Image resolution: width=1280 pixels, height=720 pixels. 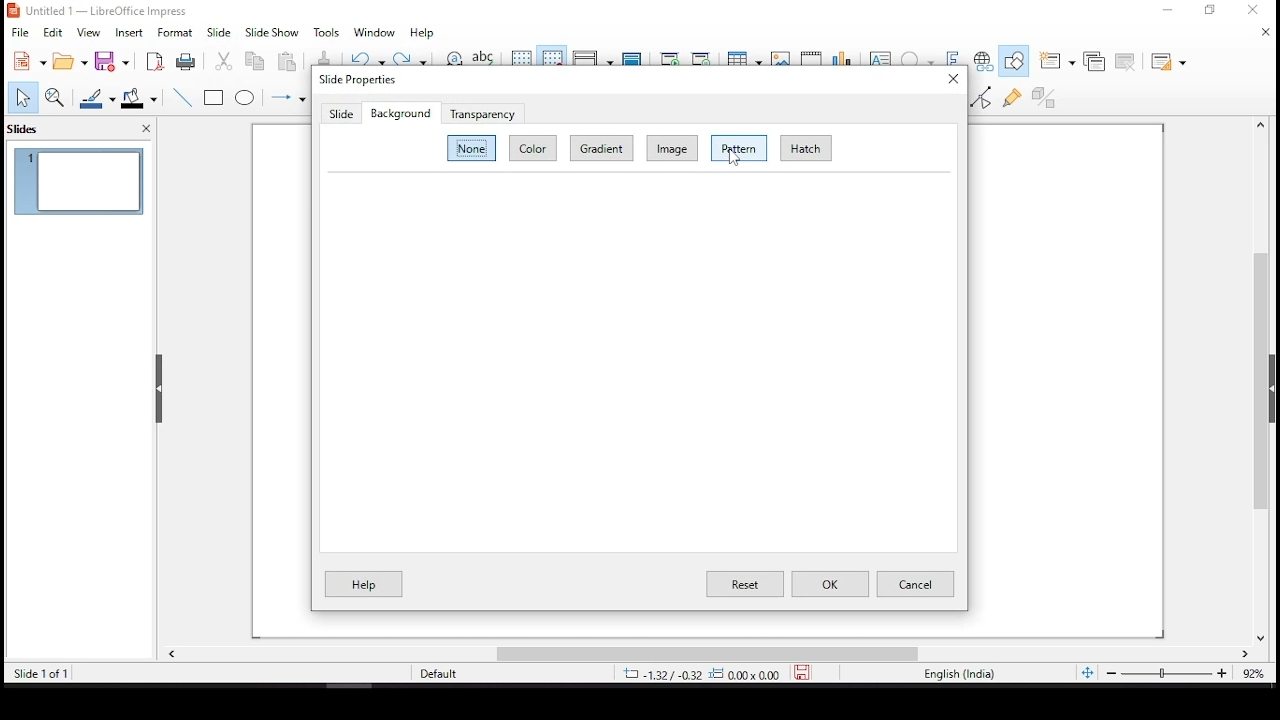 I want to click on close window, so click(x=951, y=79).